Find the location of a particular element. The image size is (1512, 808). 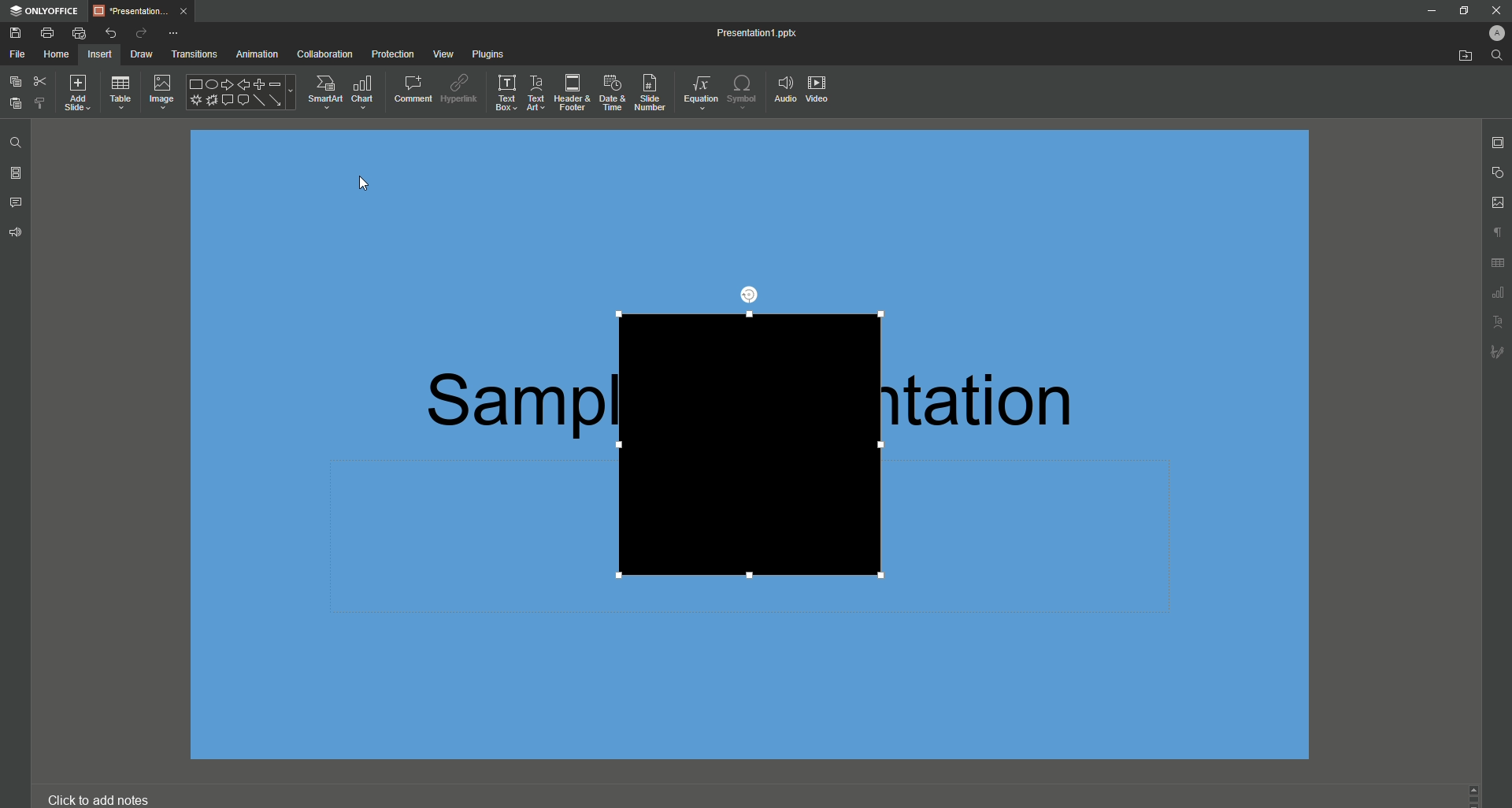

Audio is located at coordinates (784, 88).